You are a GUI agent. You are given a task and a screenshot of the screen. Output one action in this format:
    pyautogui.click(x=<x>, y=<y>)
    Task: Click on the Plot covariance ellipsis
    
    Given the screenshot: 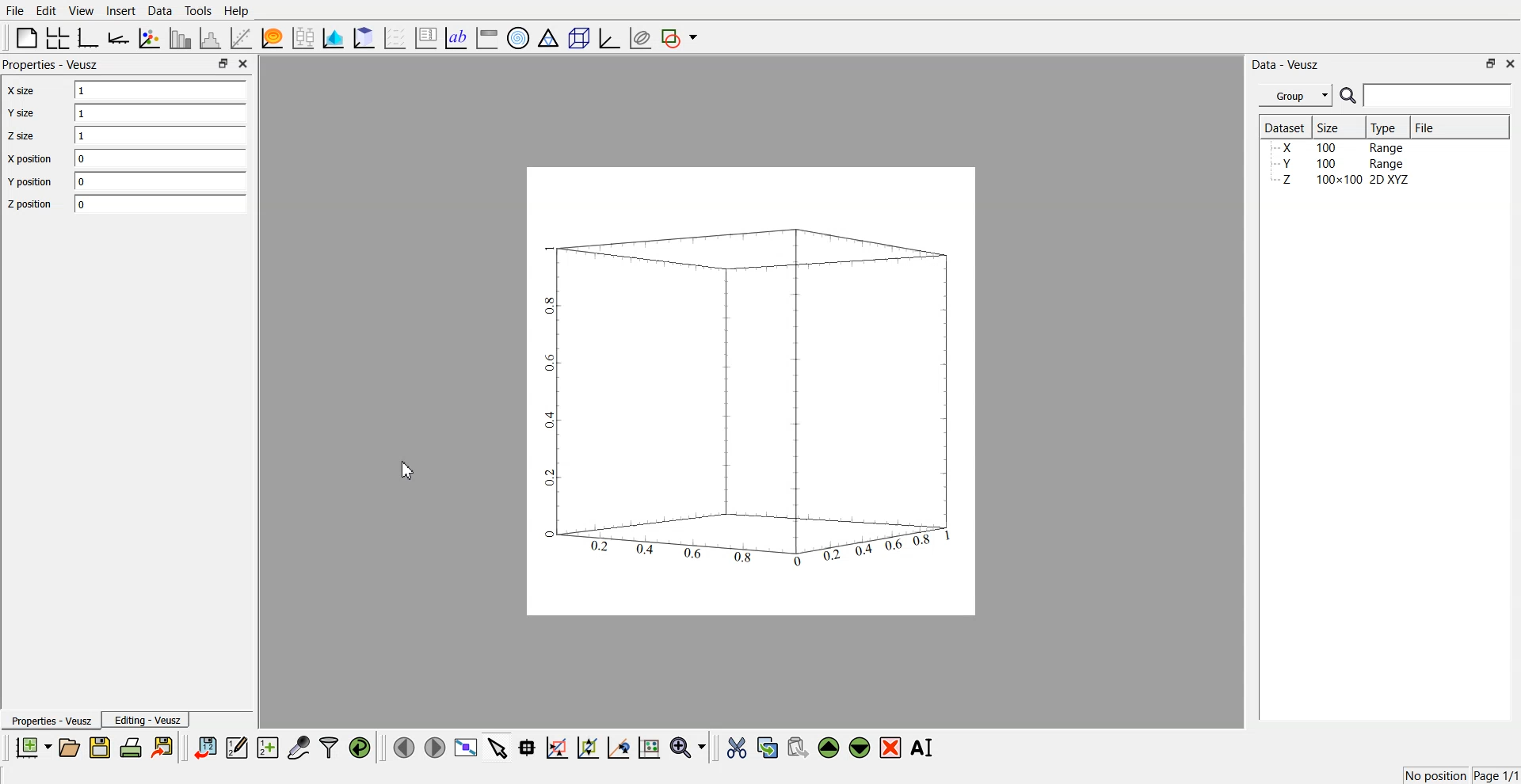 What is the action you would take?
    pyautogui.click(x=640, y=39)
    